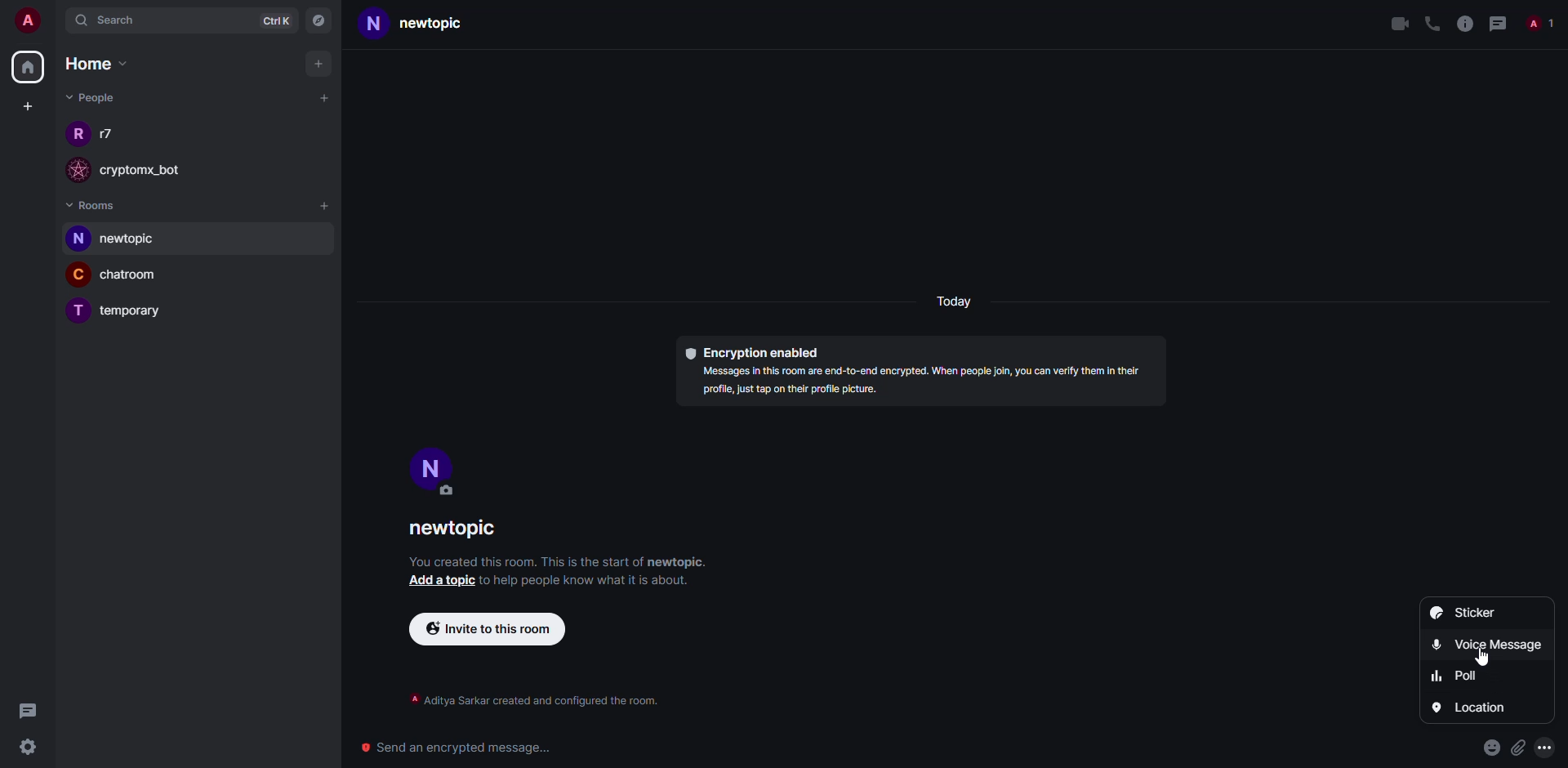 This screenshot has height=768, width=1568. What do you see at coordinates (316, 63) in the screenshot?
I see `add` at bounding box center [316, 63].